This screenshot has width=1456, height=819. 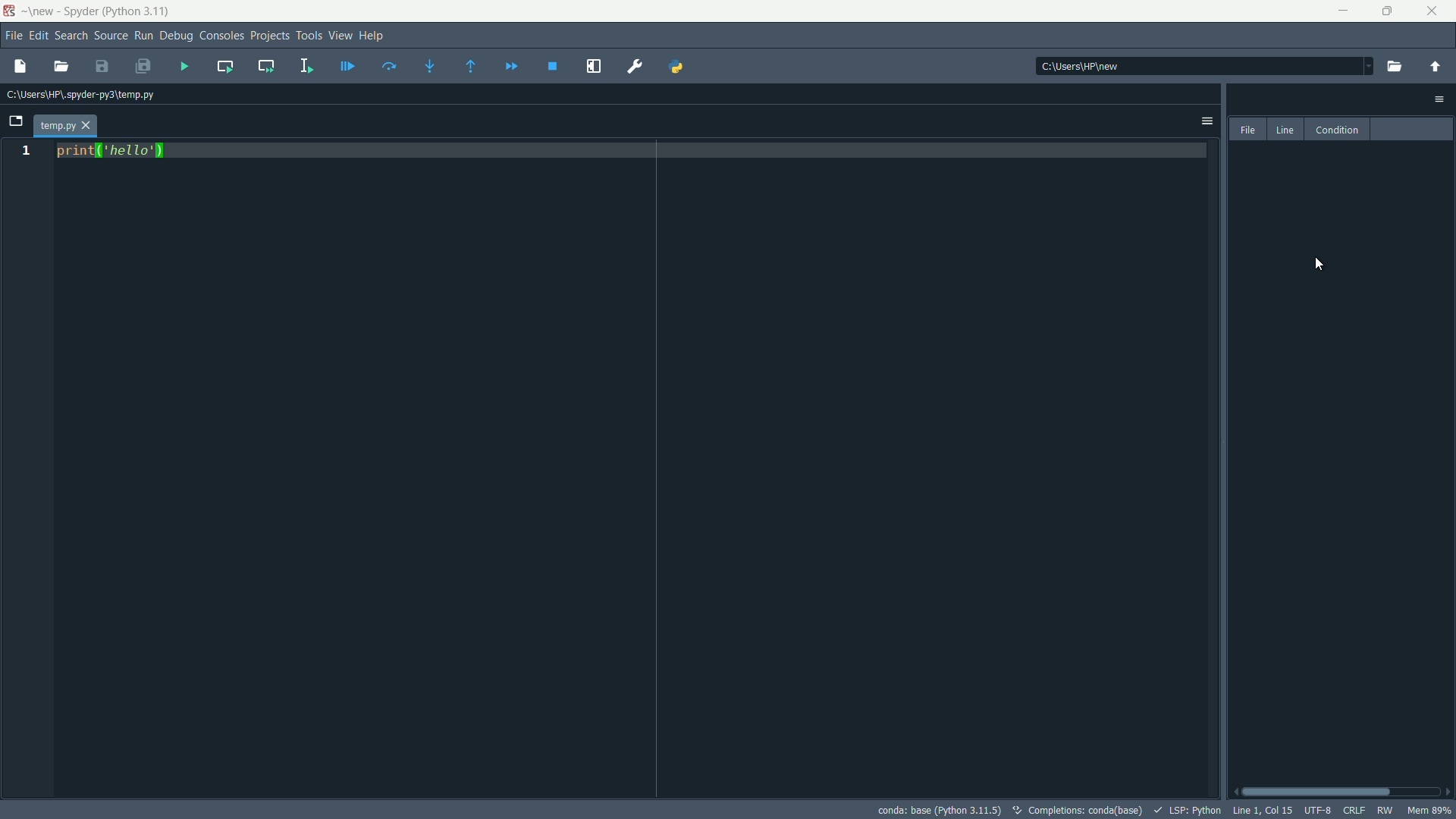 I want to click on browse tabs, so click(x=15, y=123).